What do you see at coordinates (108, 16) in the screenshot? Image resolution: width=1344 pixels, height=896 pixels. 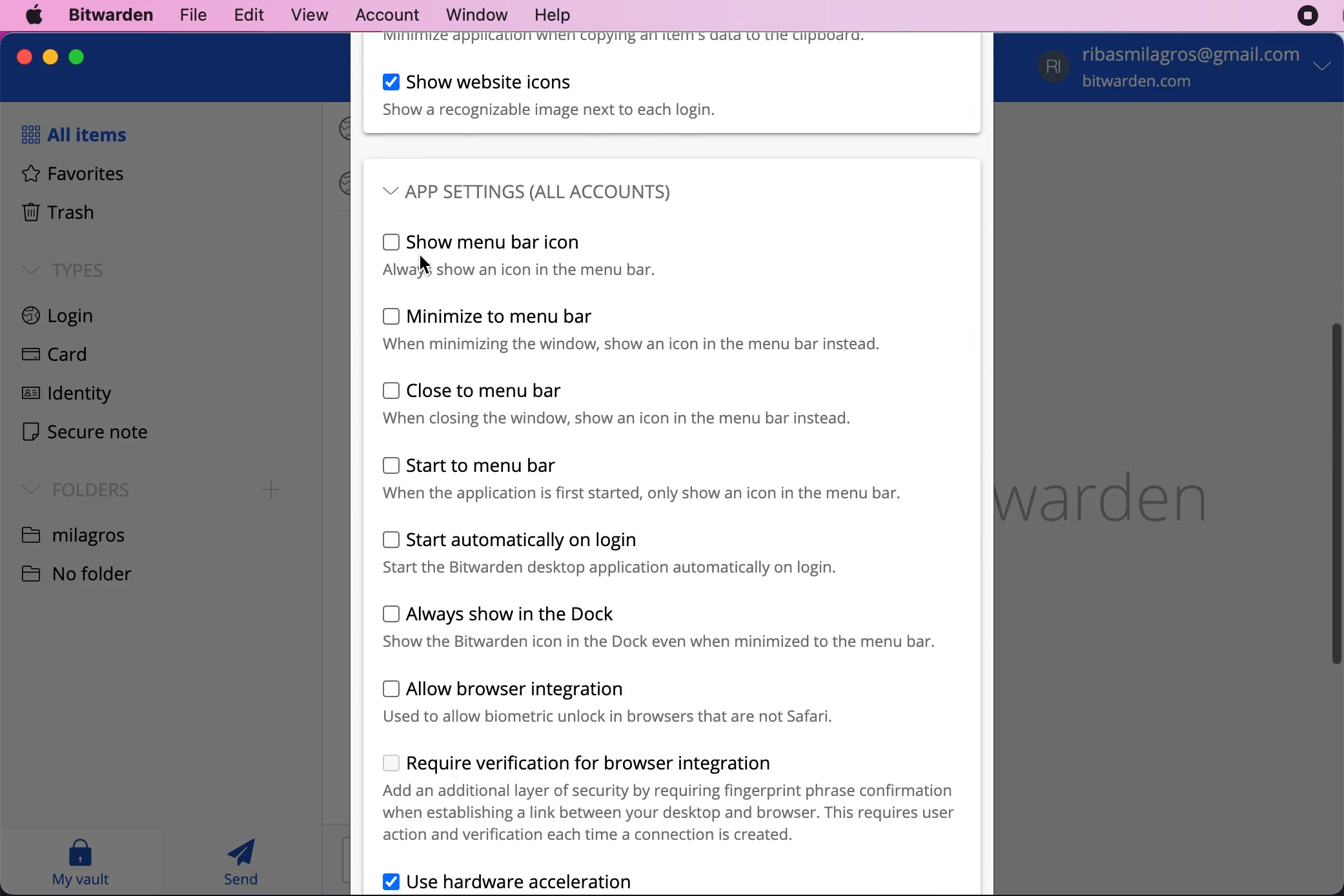 I see `bitwarden` at bounding box center [108, 16].